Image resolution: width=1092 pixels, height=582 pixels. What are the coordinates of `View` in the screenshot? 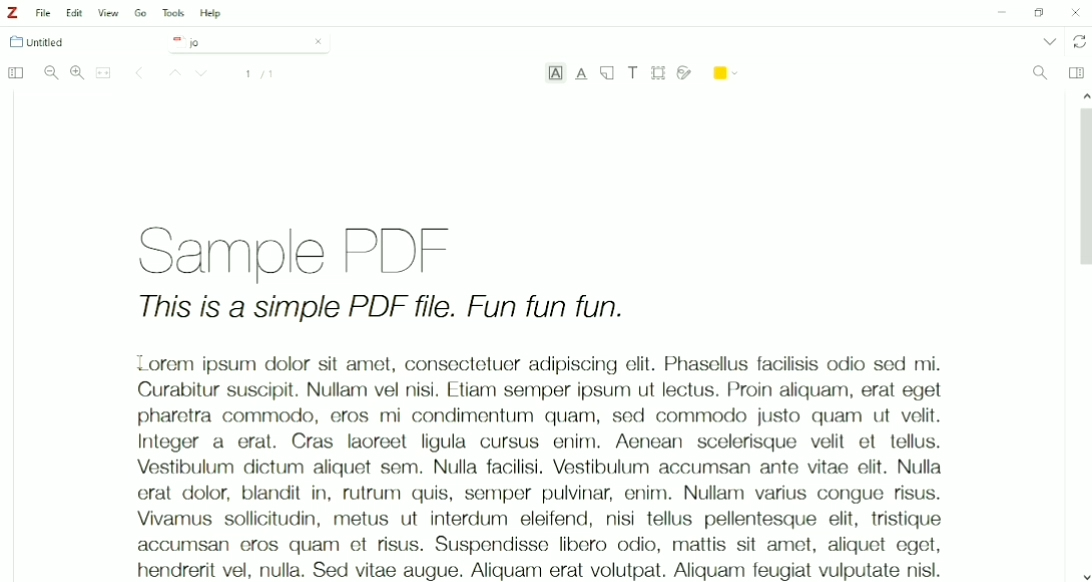 It's located at (109, 13).